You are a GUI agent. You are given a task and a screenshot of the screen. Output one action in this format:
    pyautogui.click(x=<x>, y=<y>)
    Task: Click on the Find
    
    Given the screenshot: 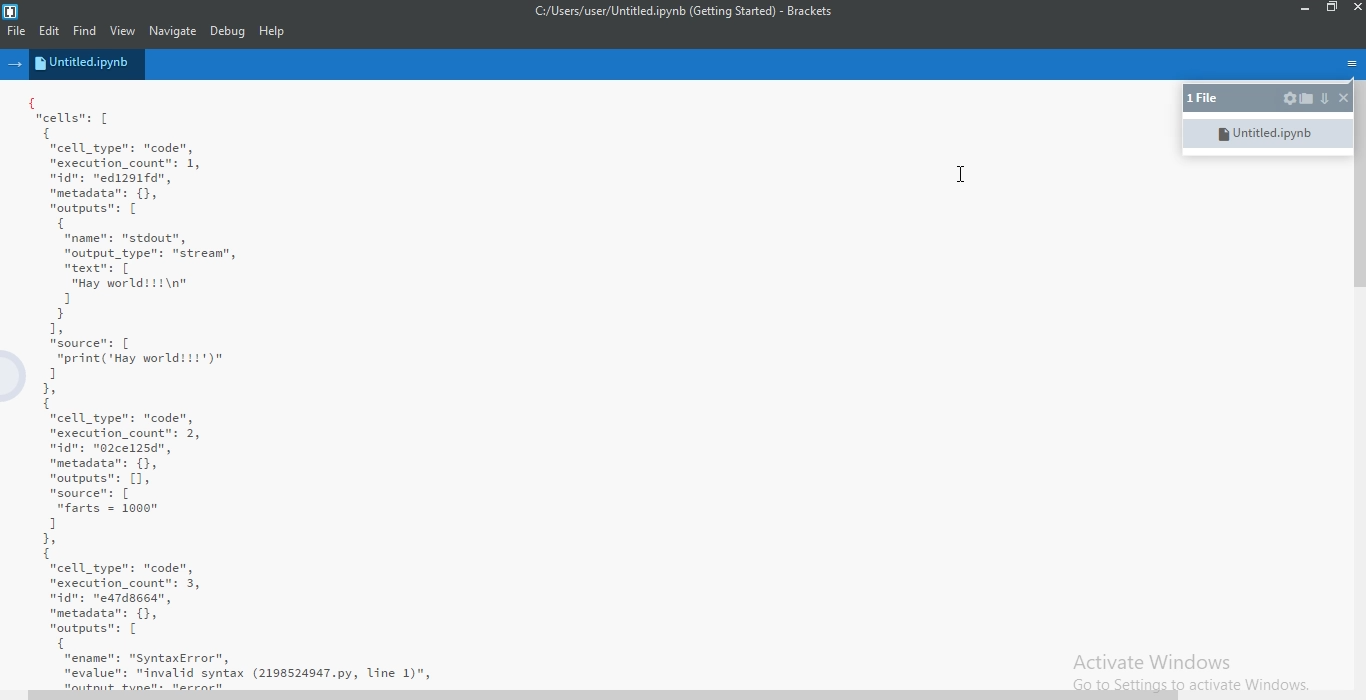 What is the action you would take?
    pyautogui.click(x=89, y=31)
    